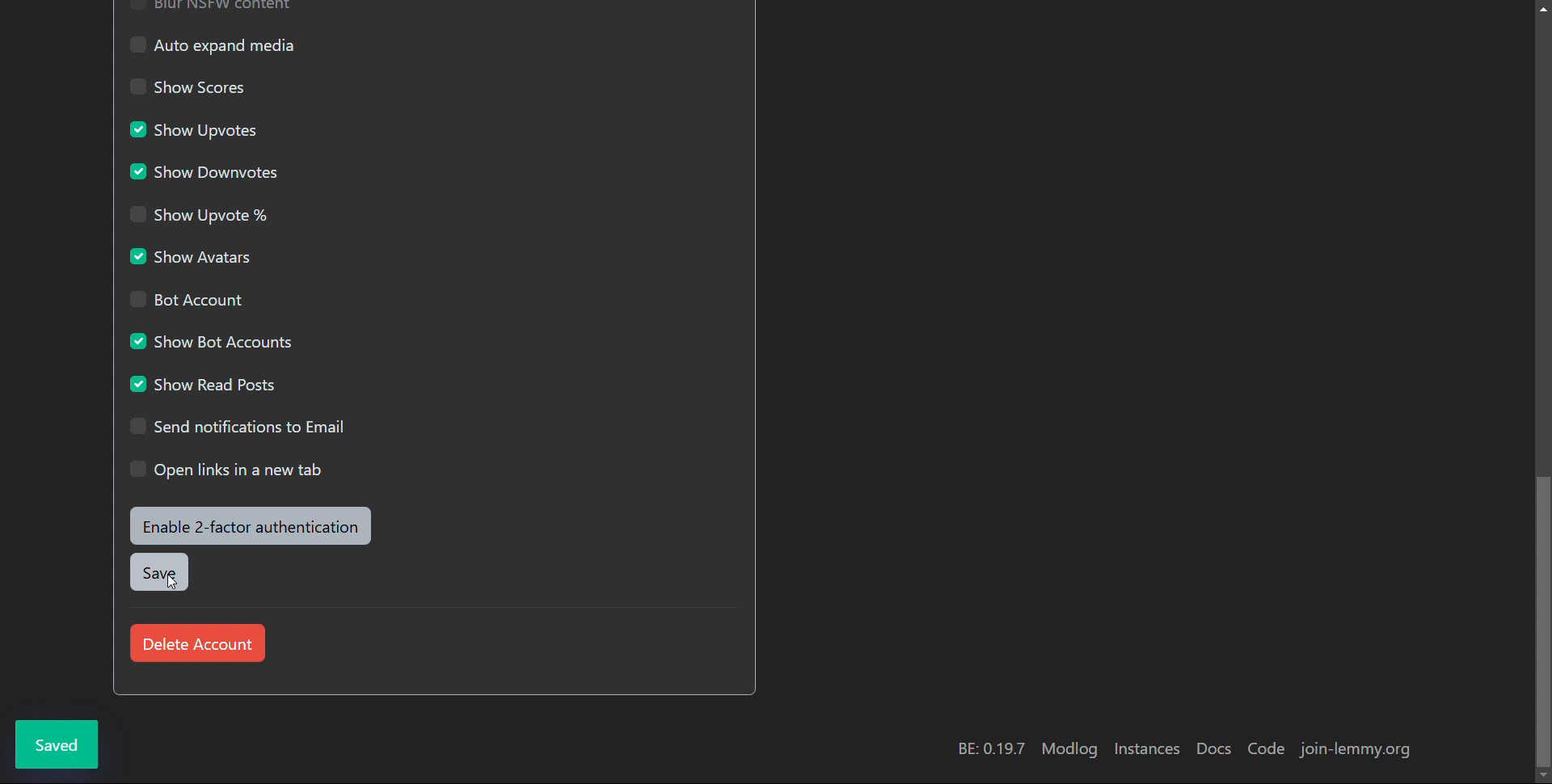  What do you see at coordinates (1069, 750) in the screenshot?
I see `modlog` at bounding box center [1069, 750].